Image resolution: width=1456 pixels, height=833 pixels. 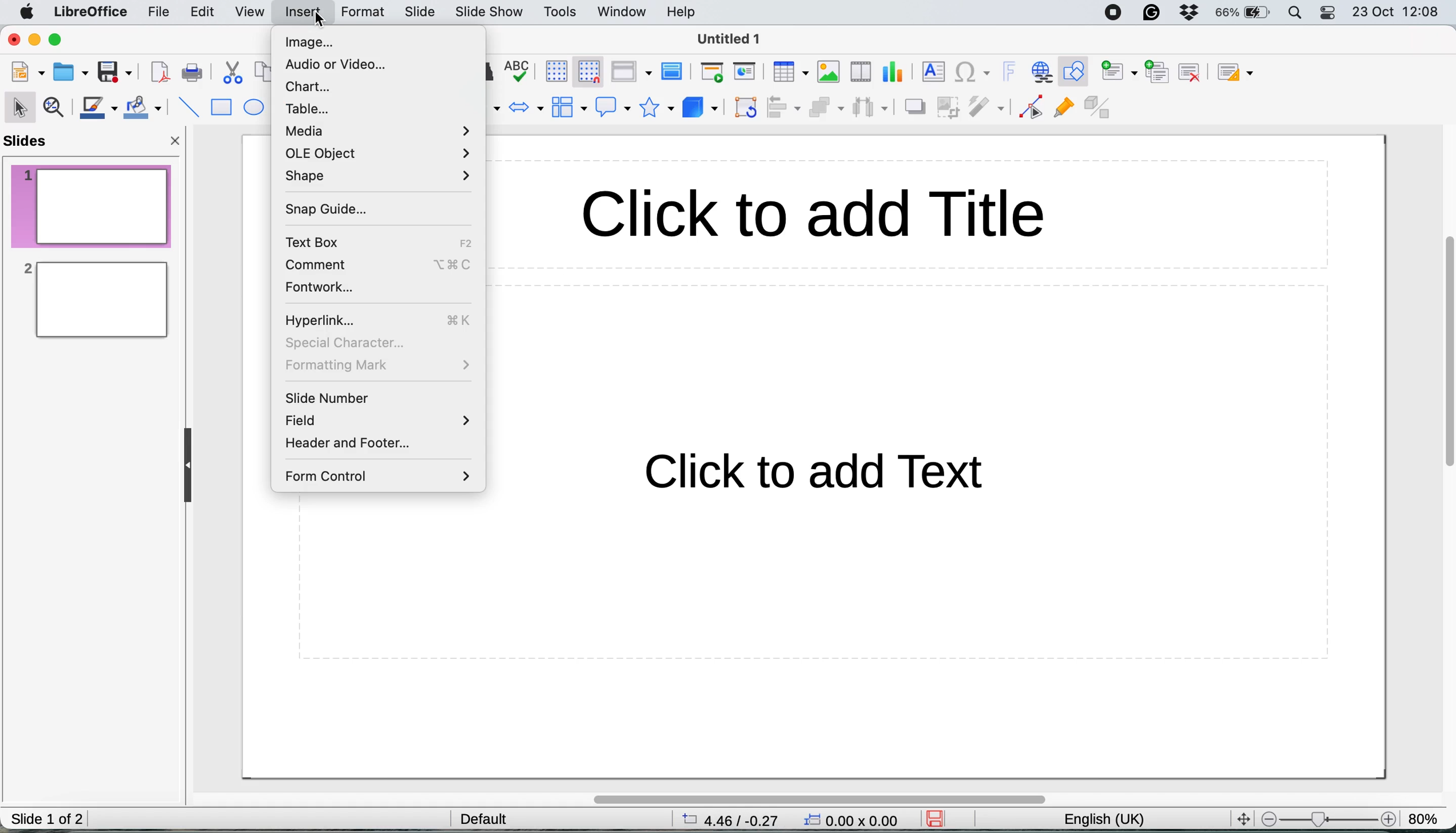 I want to click on table, so click(x=312, y=108).